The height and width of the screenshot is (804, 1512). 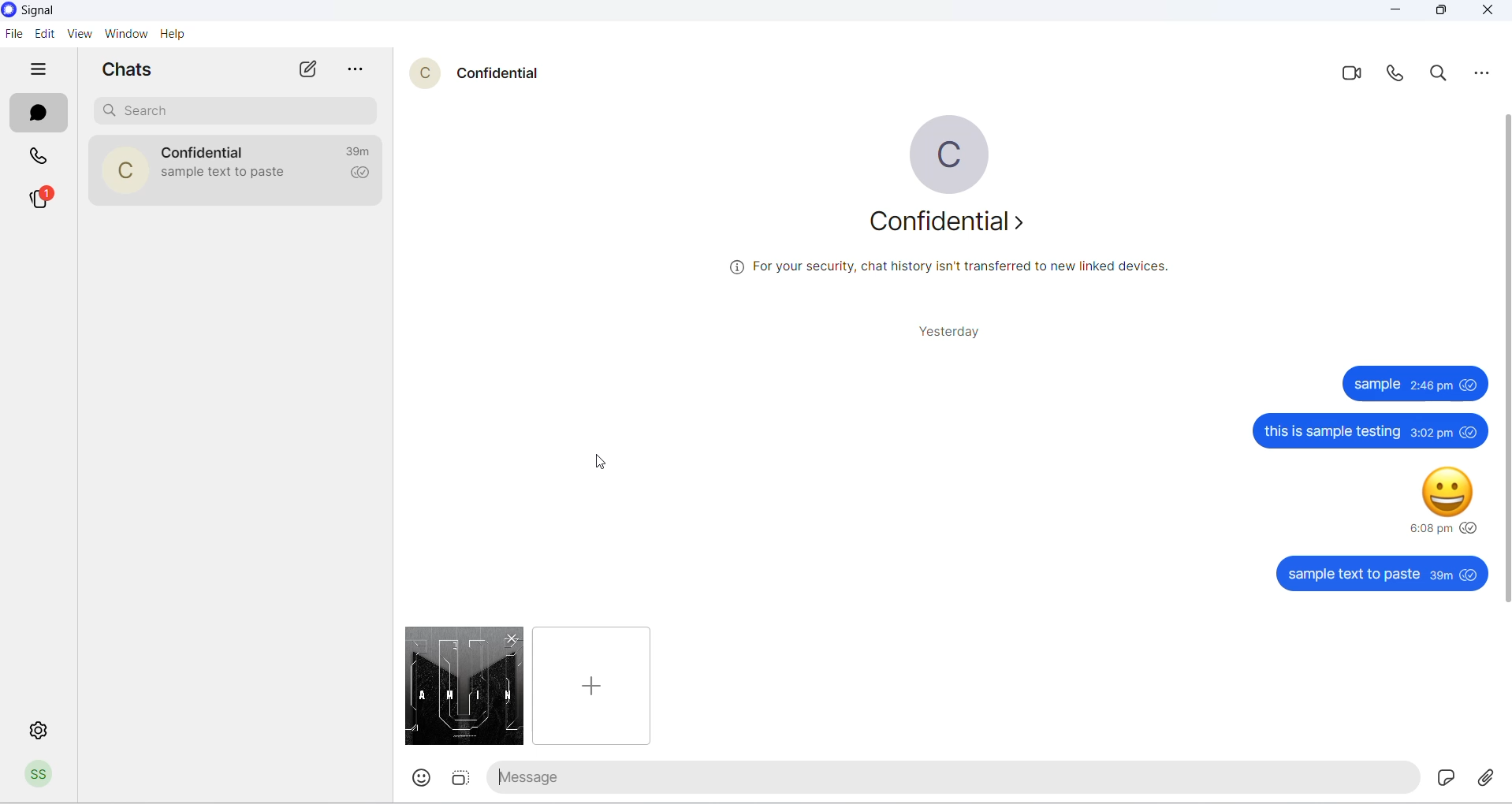 I want to click on add more file, so click(x=589, y=684).